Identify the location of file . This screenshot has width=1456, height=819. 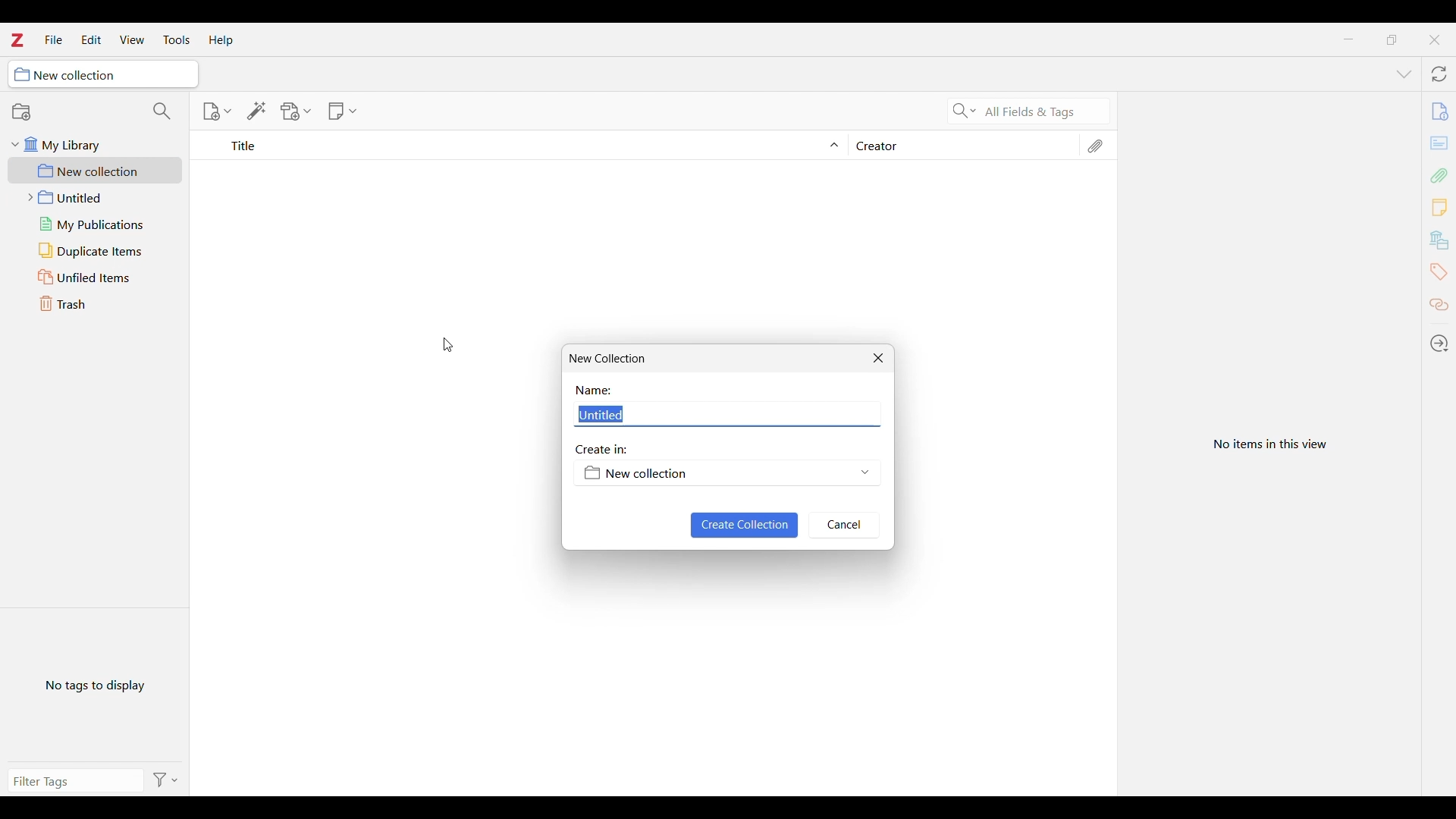
(1438, 108).